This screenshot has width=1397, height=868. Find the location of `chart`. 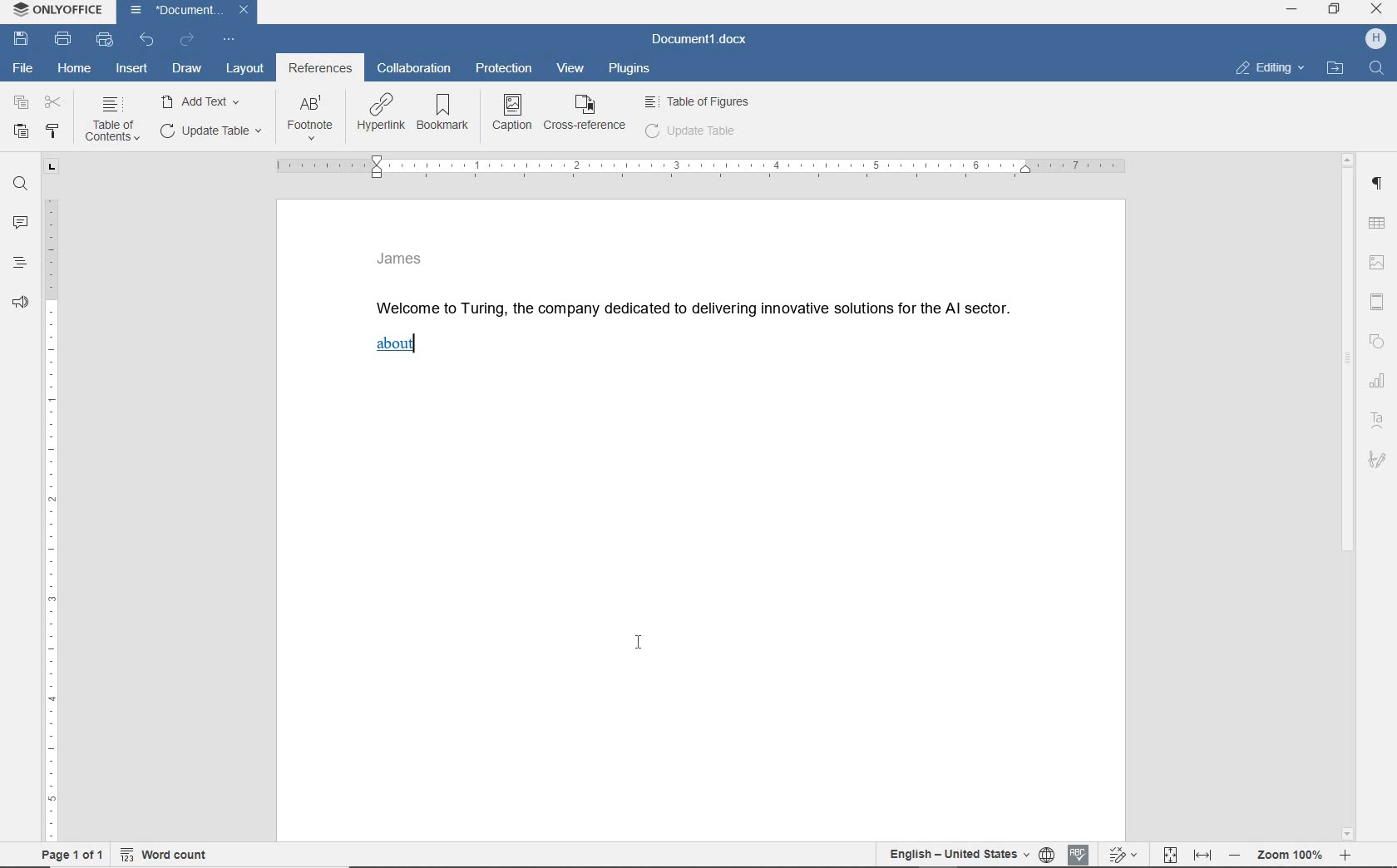

chart is located at coordinates (1379, 383).